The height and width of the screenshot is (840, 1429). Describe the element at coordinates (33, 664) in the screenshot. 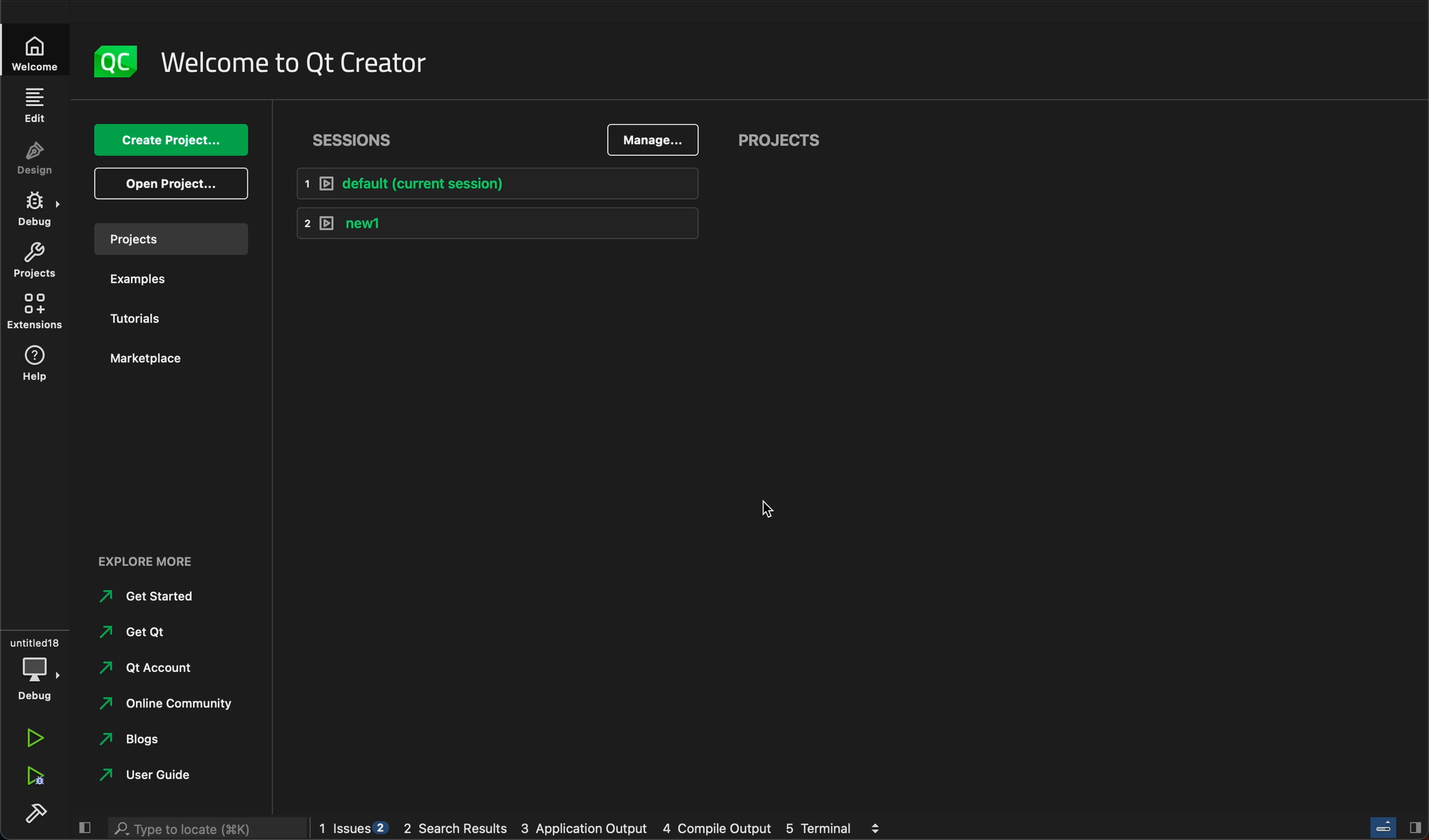

I see `debug` at that location.